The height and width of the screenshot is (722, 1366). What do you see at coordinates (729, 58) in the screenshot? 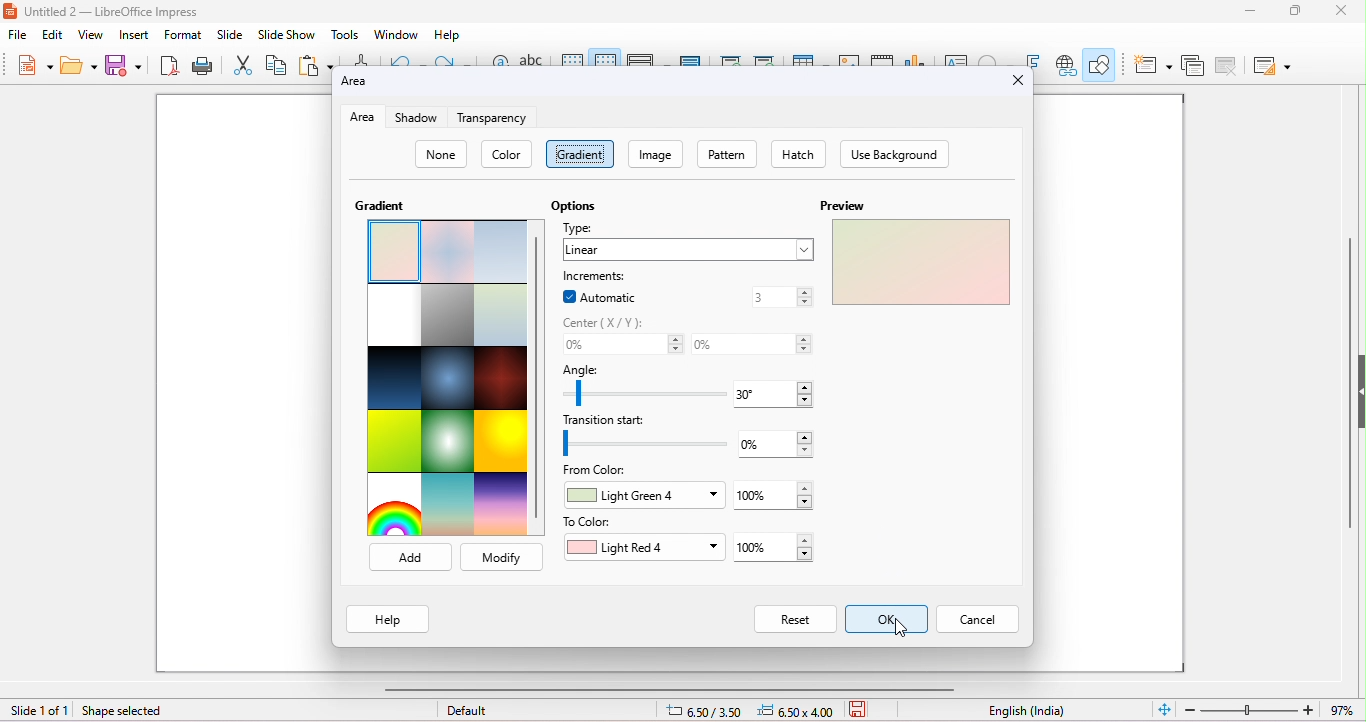
I see `start from beginning` at bounding box center [729, 58].